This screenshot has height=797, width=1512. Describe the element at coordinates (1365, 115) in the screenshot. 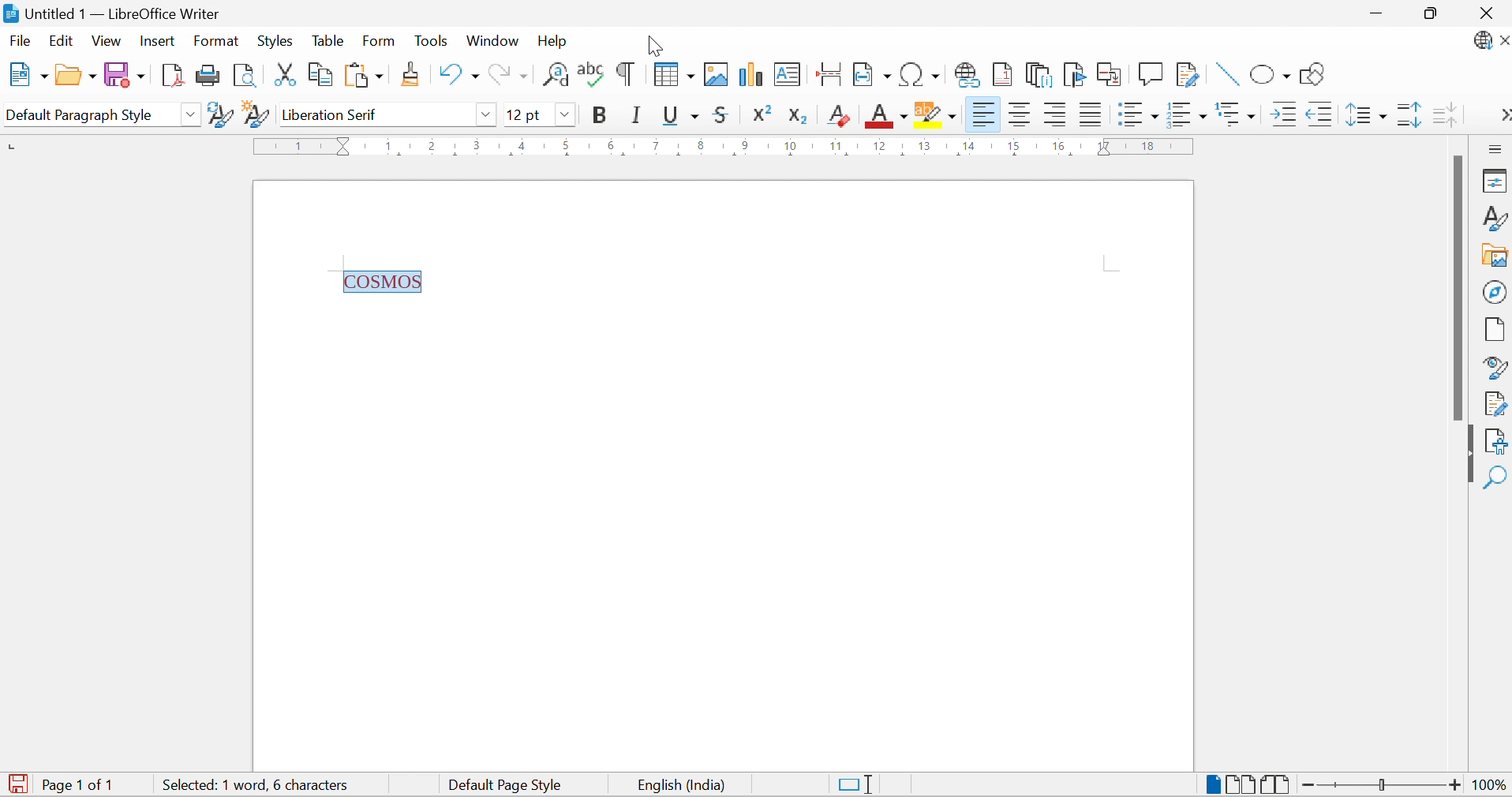

I see `Set Line Spacing` at that location.